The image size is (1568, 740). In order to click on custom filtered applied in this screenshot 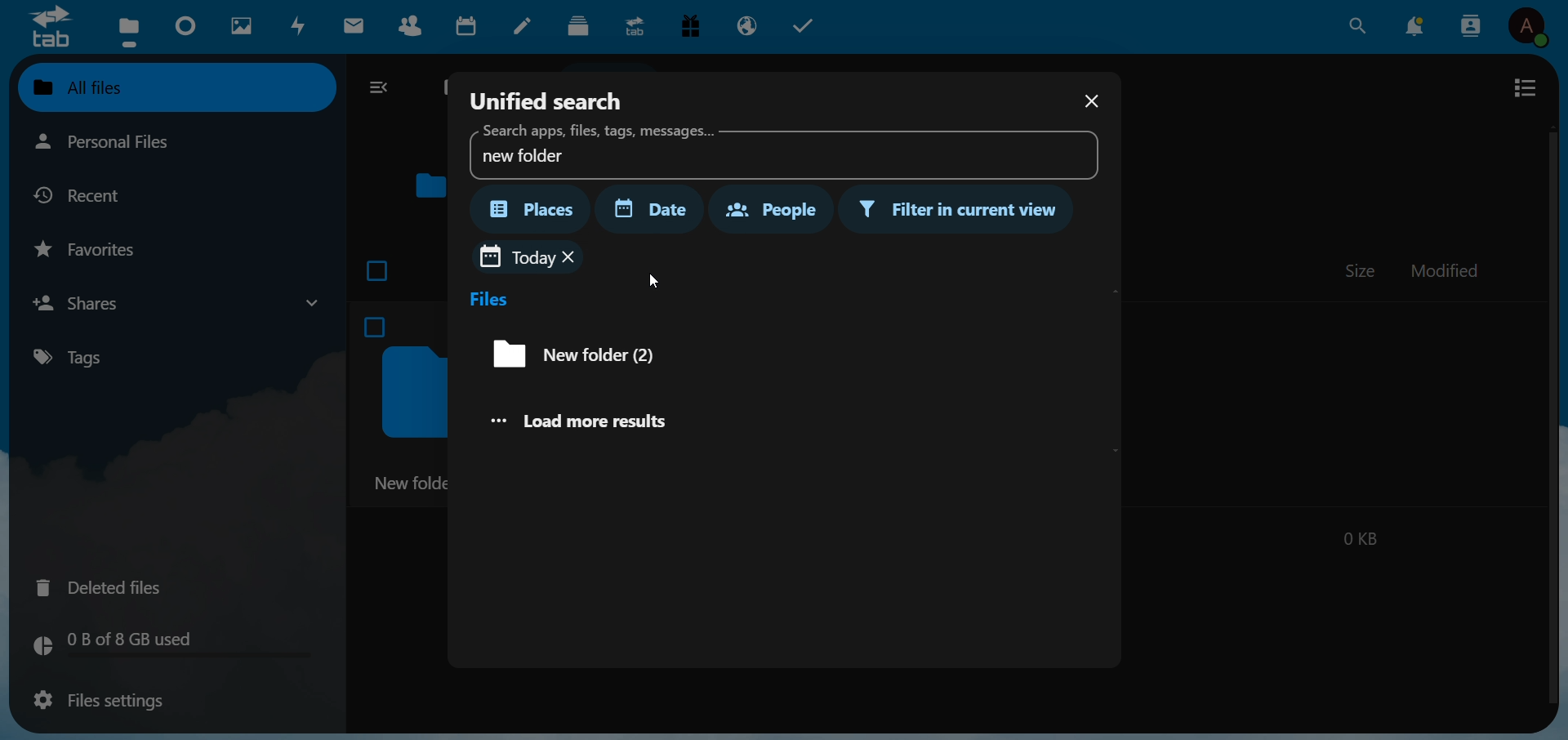, I will do `click(516, 256)`.